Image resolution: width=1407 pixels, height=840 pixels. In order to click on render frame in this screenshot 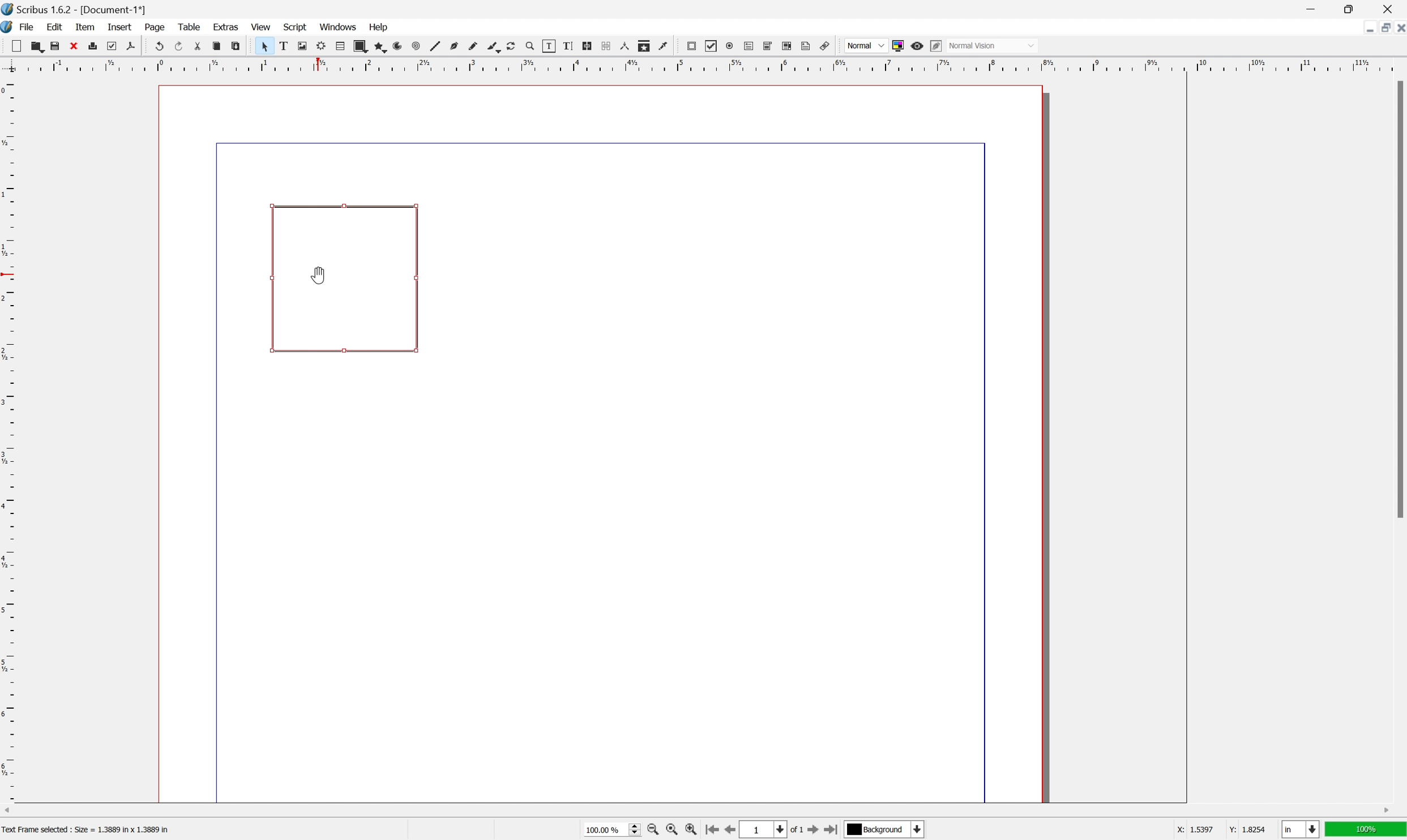, I will do `click(320, 45)`.